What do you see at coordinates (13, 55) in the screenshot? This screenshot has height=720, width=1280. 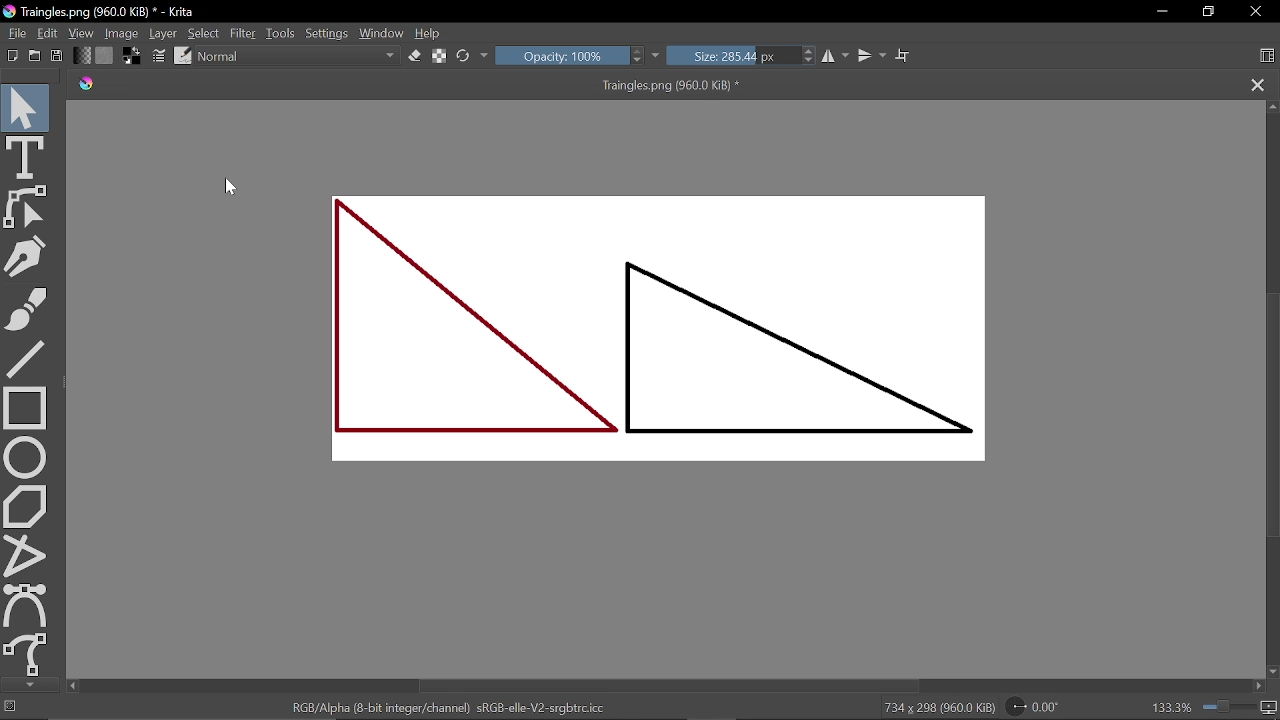 I see `Create new document` at bounding box center [13, 55].